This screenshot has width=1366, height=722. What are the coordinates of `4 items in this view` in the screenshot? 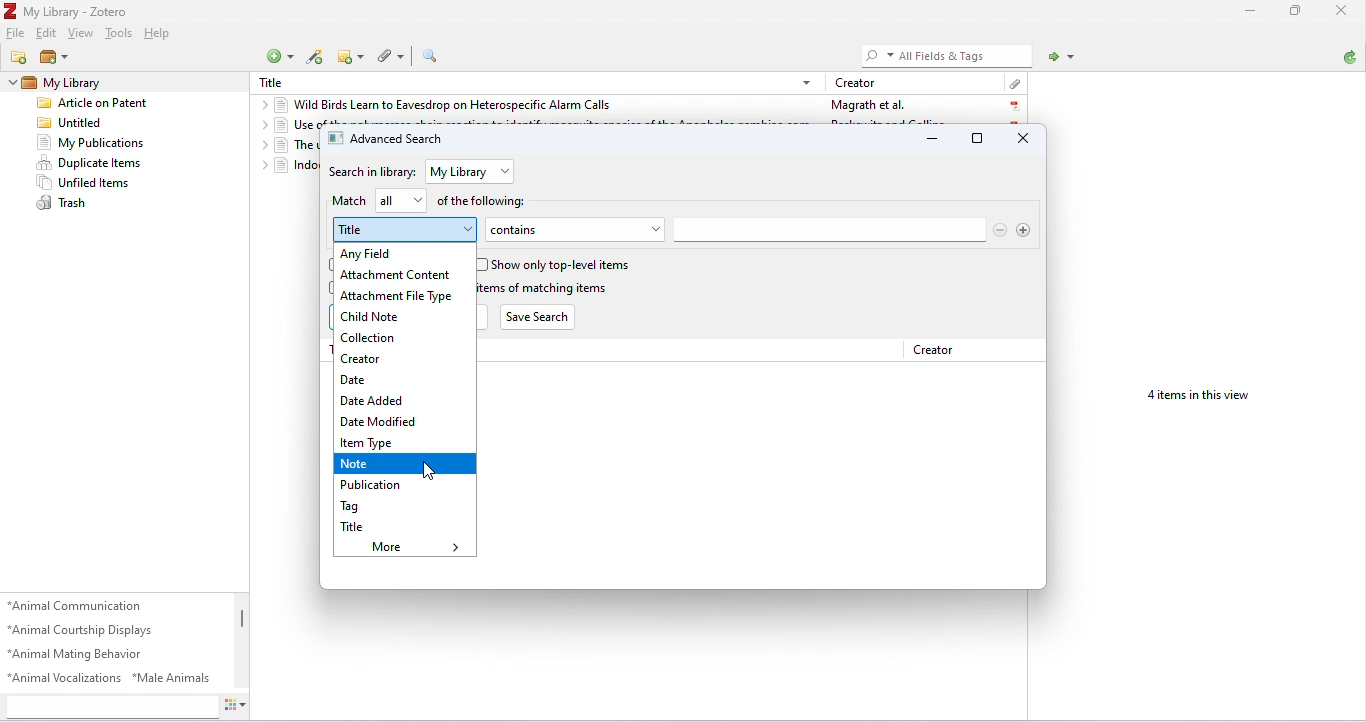 It's located at (1200, 395).